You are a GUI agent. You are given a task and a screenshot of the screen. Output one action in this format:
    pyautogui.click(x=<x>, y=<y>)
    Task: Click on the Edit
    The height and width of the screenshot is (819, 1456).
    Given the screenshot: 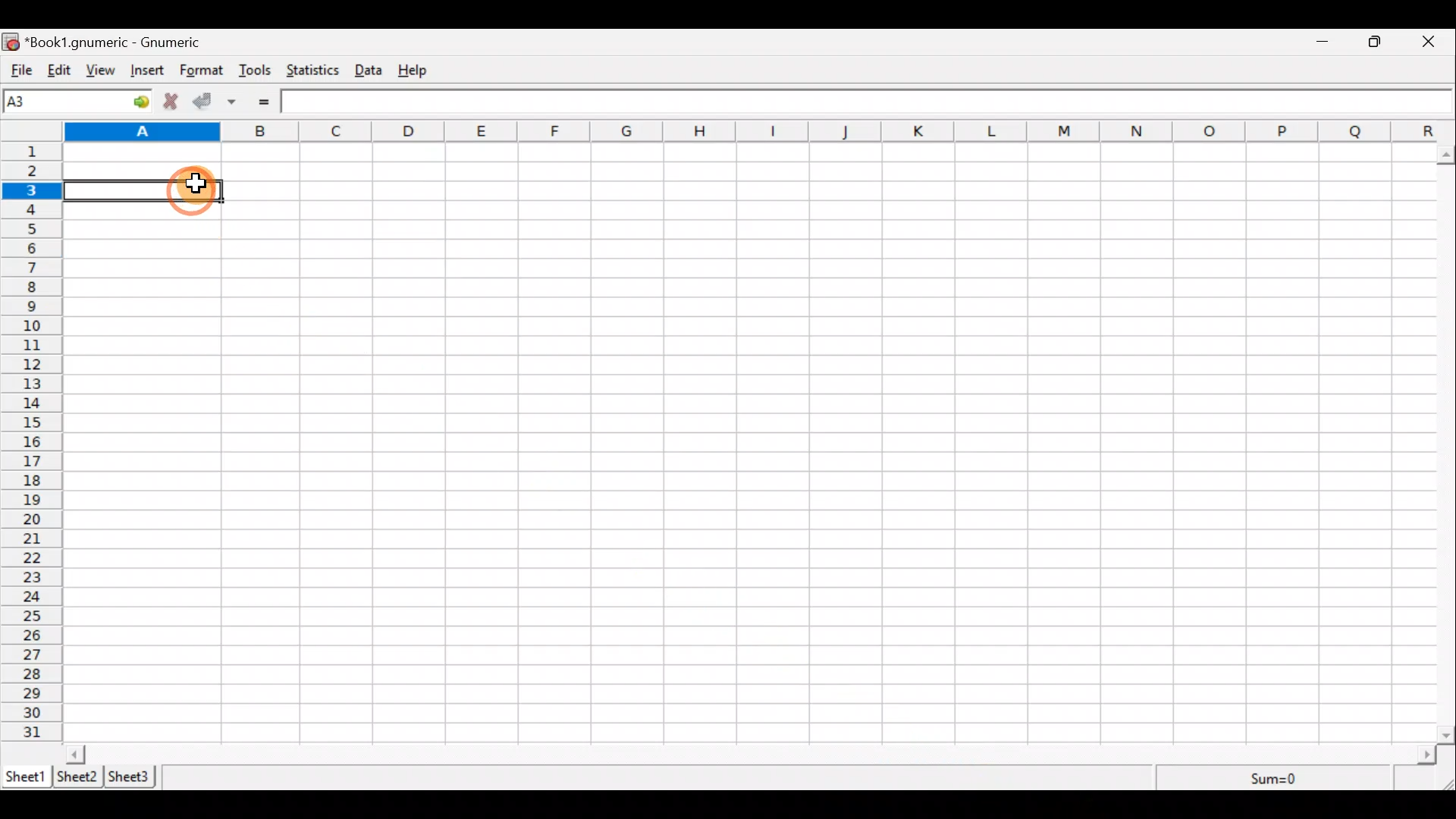 What is the action you would take?
    pyautogui.click(x=59, y=71)
    